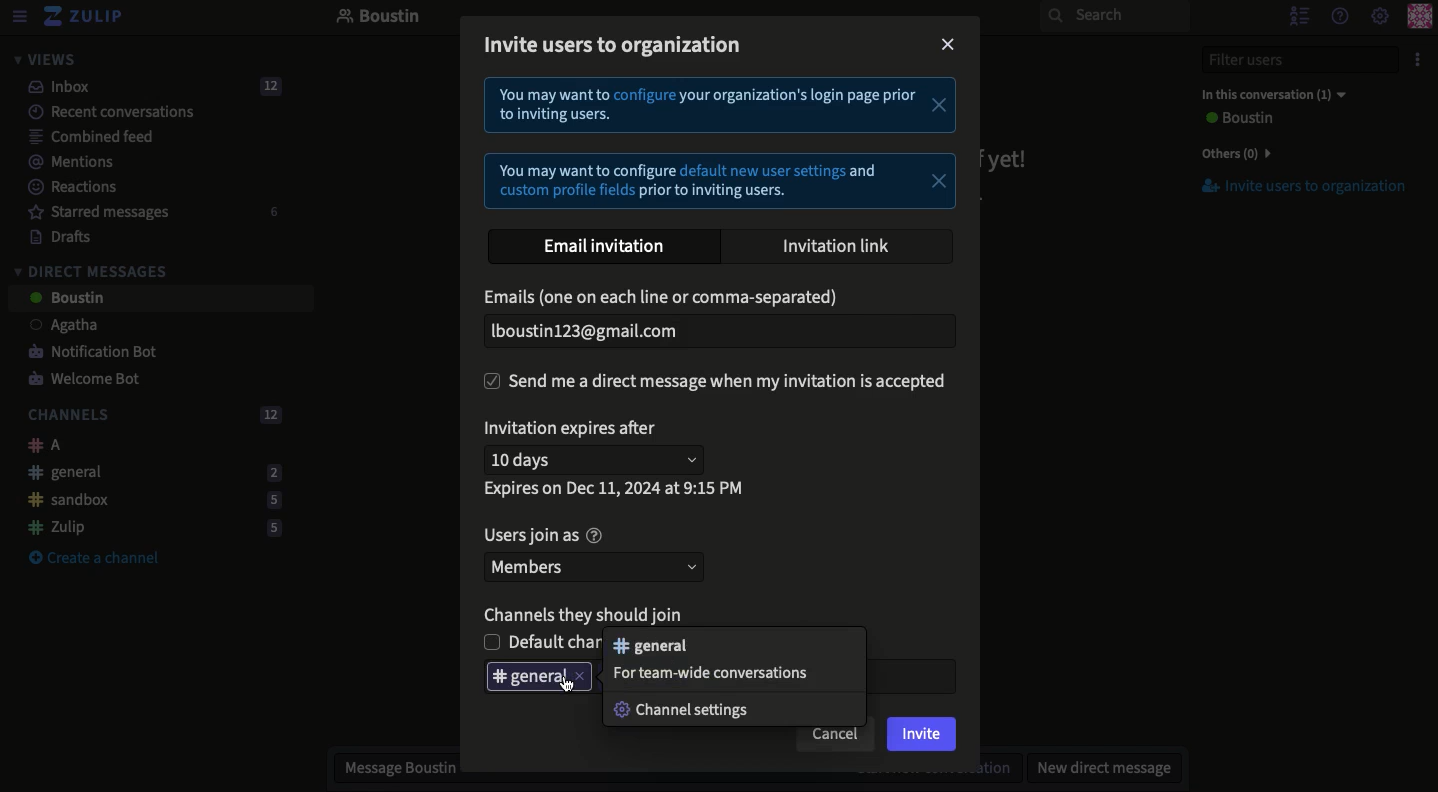 The height and width of the screenshot is (792, 1438). What do you see at coordinates (65, 299) in the screenshot?
I see `User 2` at bounding box center [65, 299].